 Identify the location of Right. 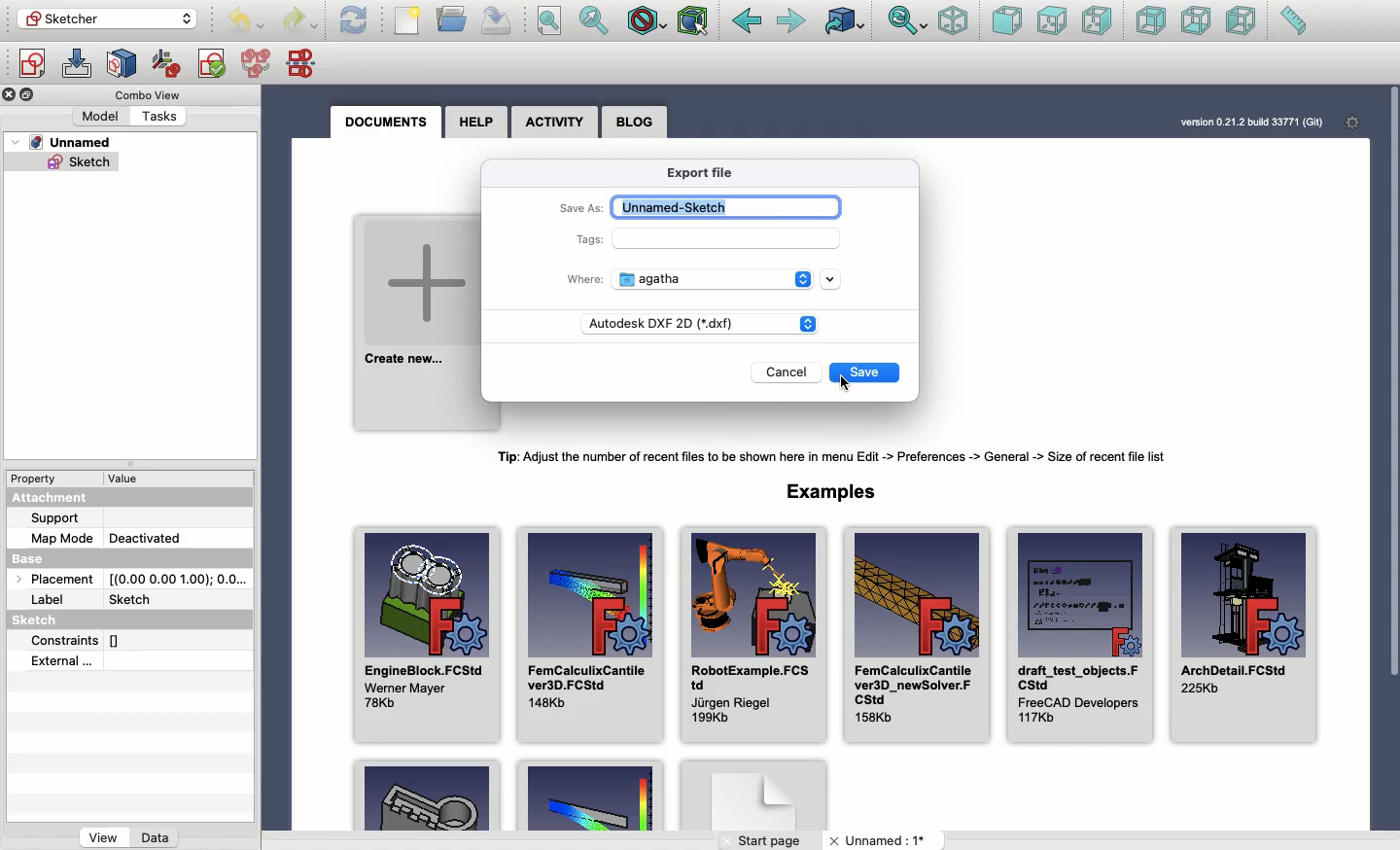
(1097, 20).